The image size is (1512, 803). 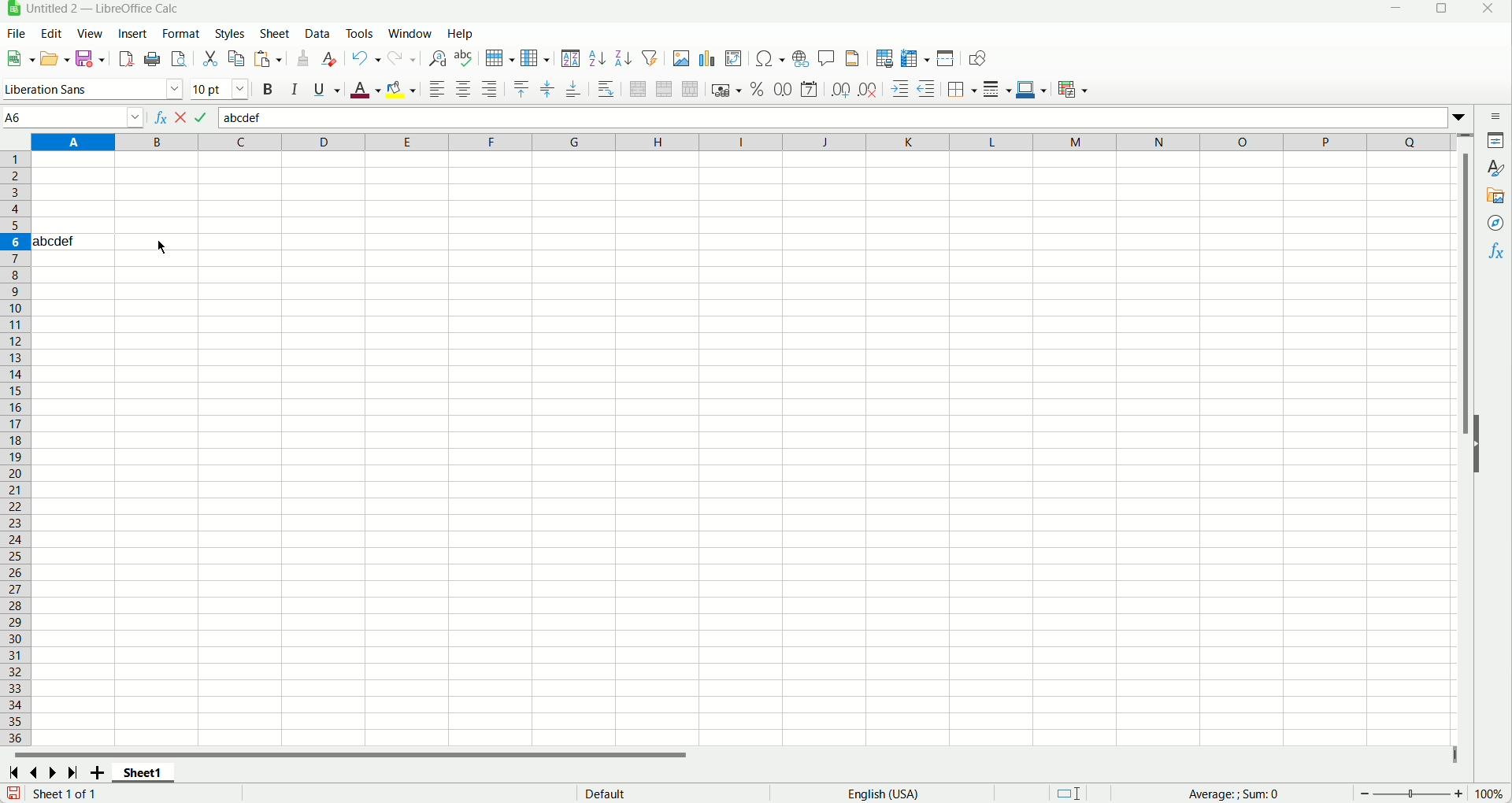 I want to click on row, so click(x=498, y=57).